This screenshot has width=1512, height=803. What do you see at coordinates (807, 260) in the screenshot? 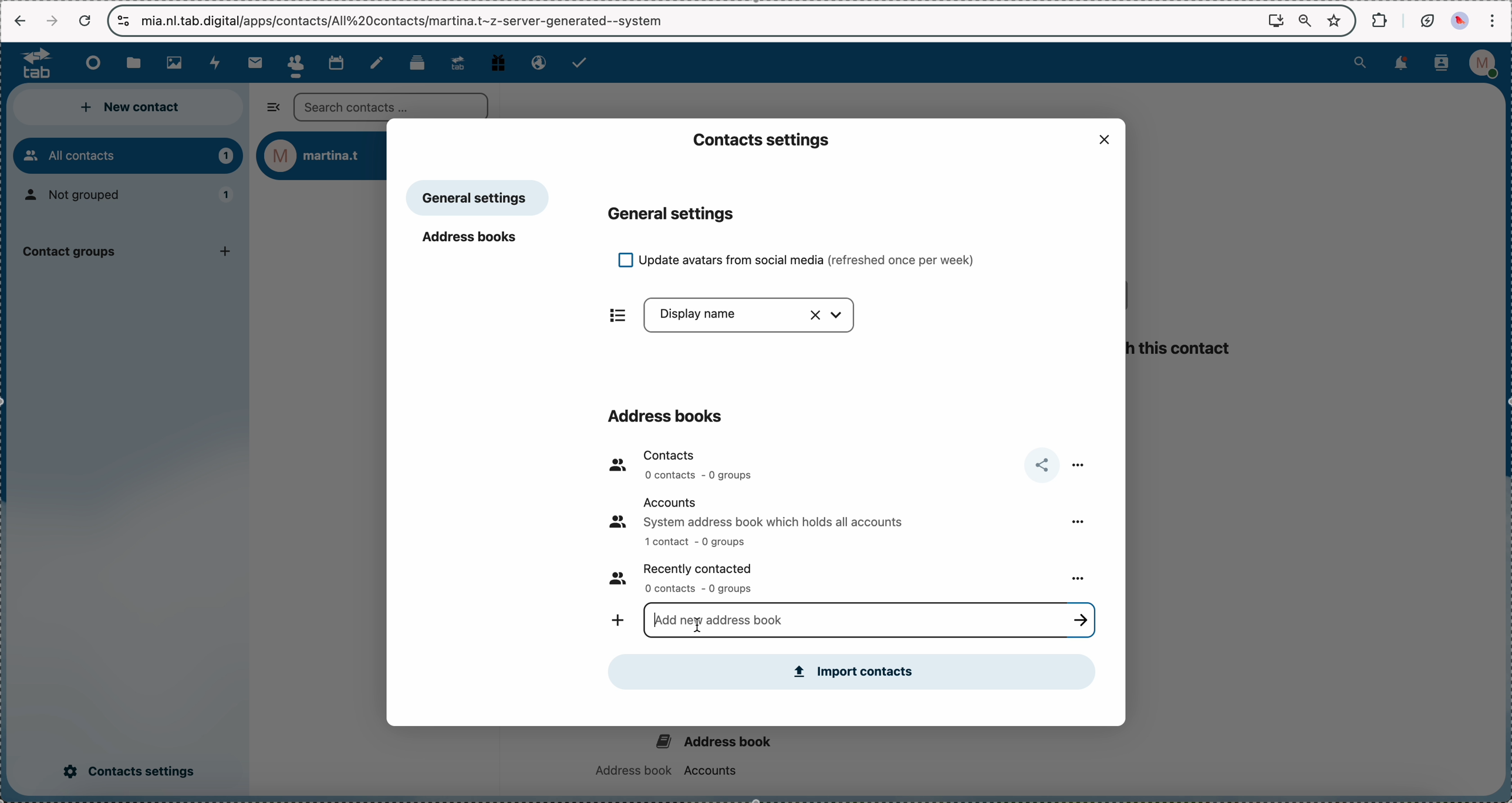
I see `update avatars` at bounding box center [807, 260].